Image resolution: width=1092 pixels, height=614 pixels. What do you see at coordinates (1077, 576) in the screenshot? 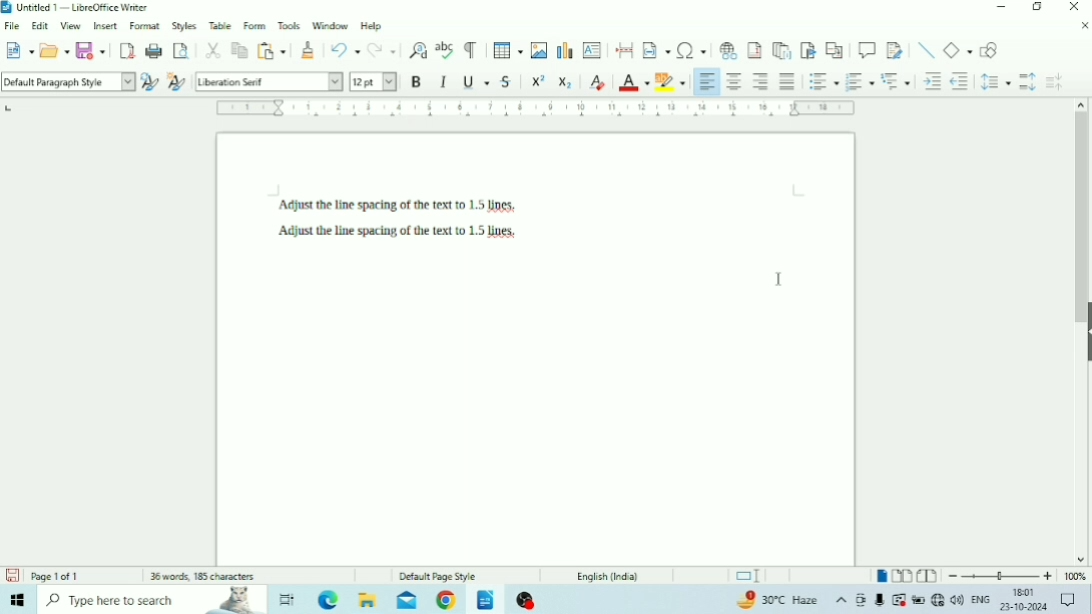
I see `Zoom Factor` at bounding box center [1077, 576].